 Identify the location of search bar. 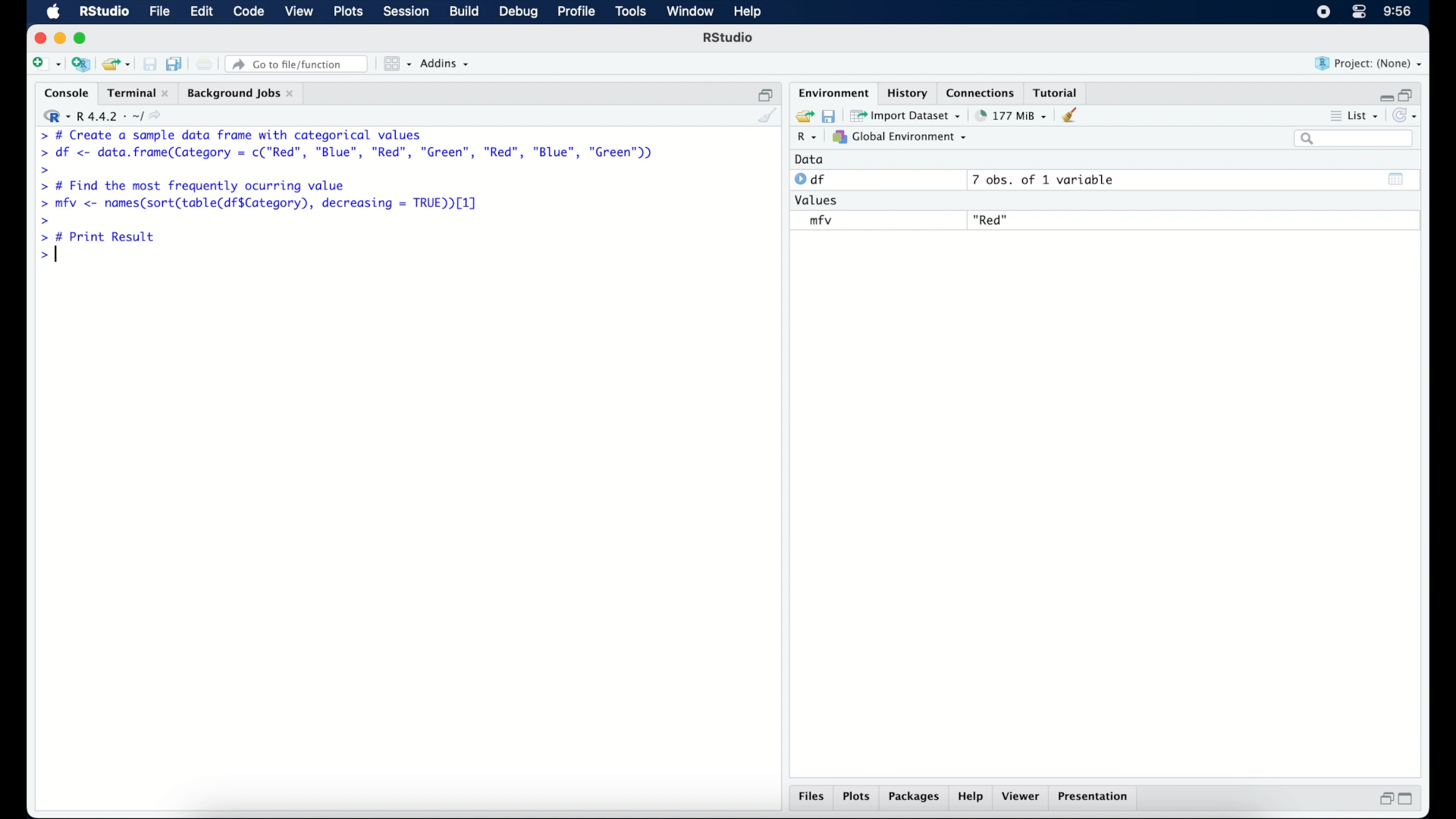
(1355, 140).